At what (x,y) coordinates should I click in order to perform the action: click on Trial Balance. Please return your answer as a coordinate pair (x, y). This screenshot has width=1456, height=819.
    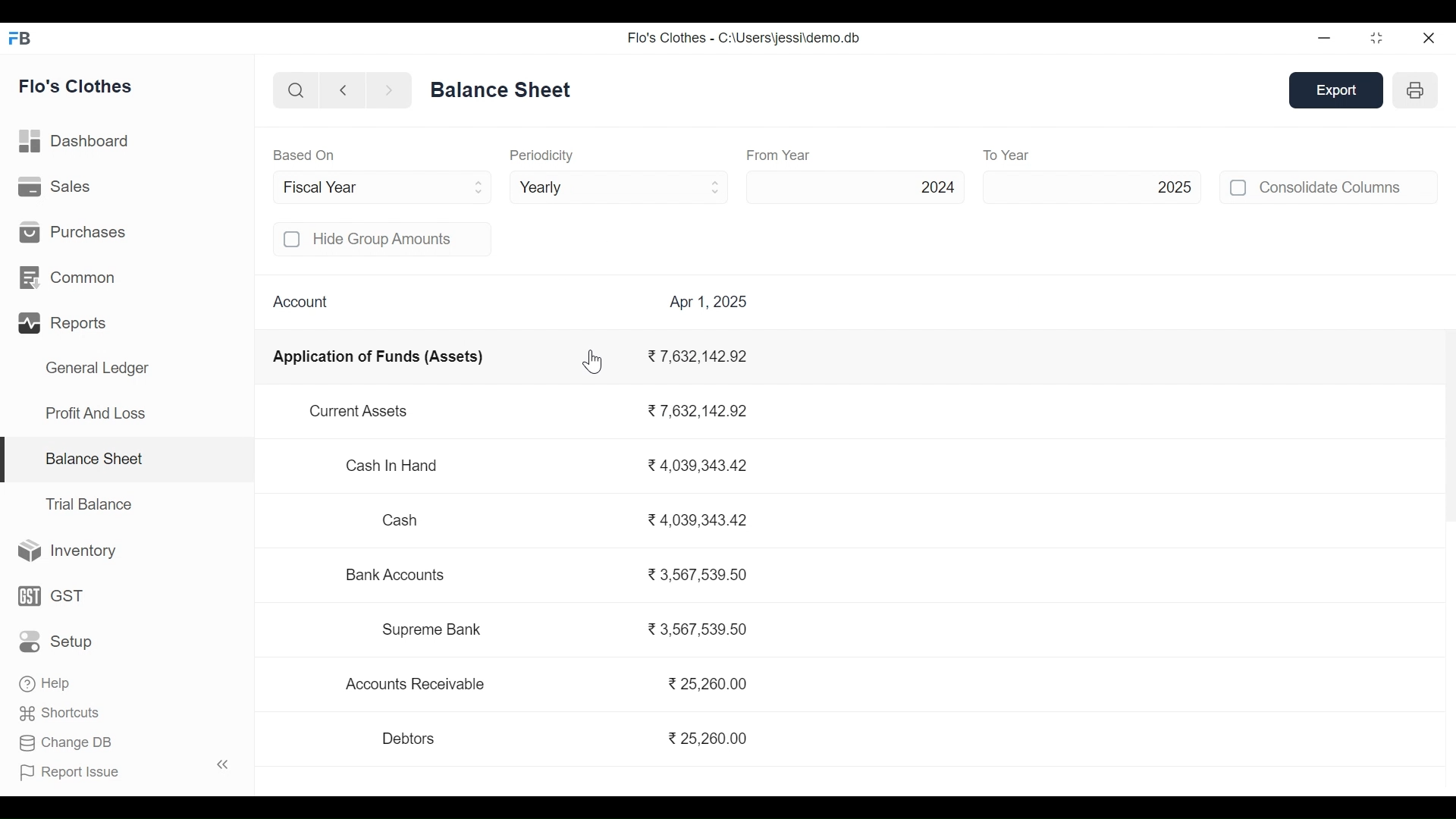
    Looking at the image, I should click on (89, 504).